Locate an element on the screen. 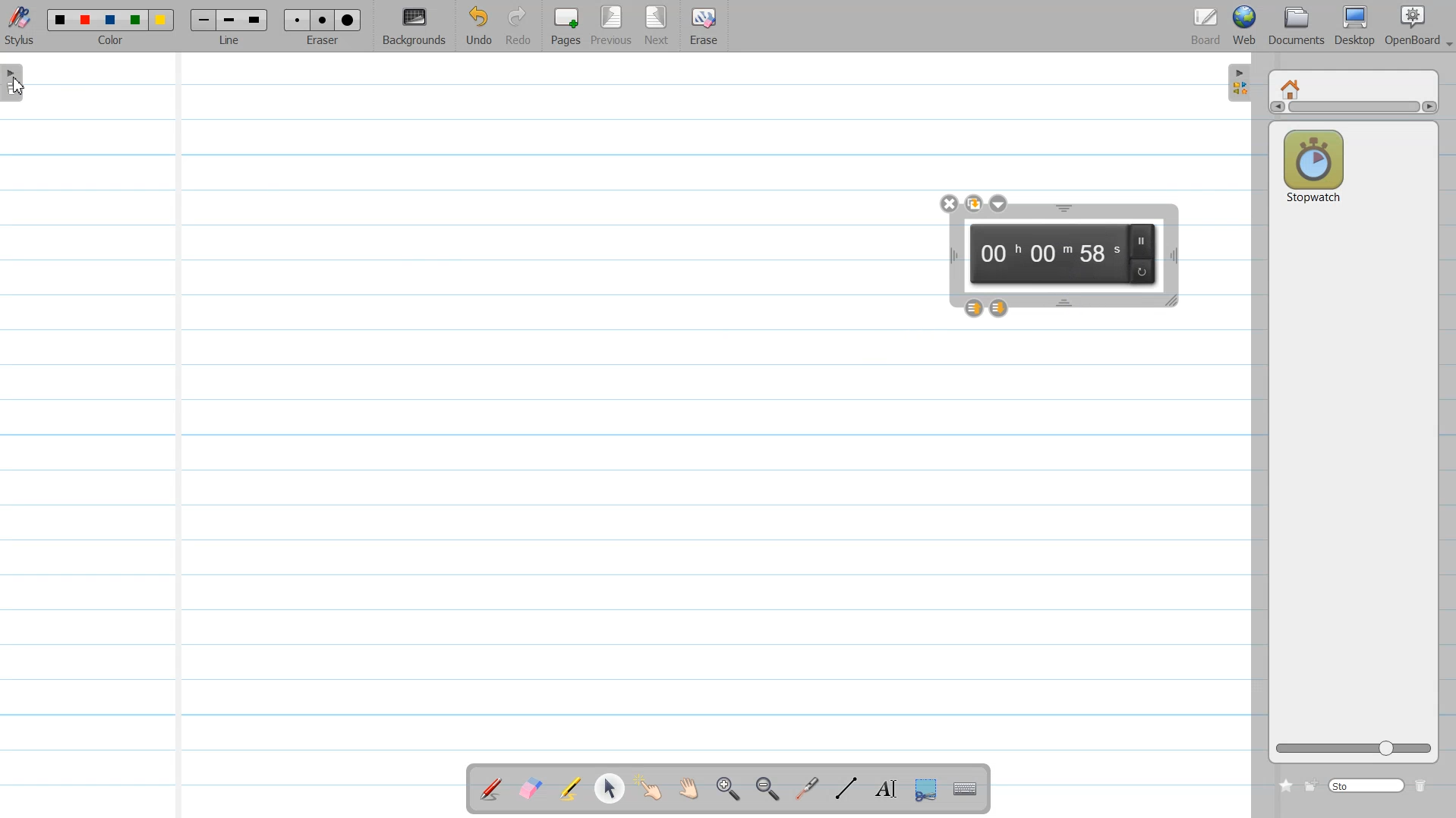  Time window Size adjustment is located at coordinates (1173, 302).